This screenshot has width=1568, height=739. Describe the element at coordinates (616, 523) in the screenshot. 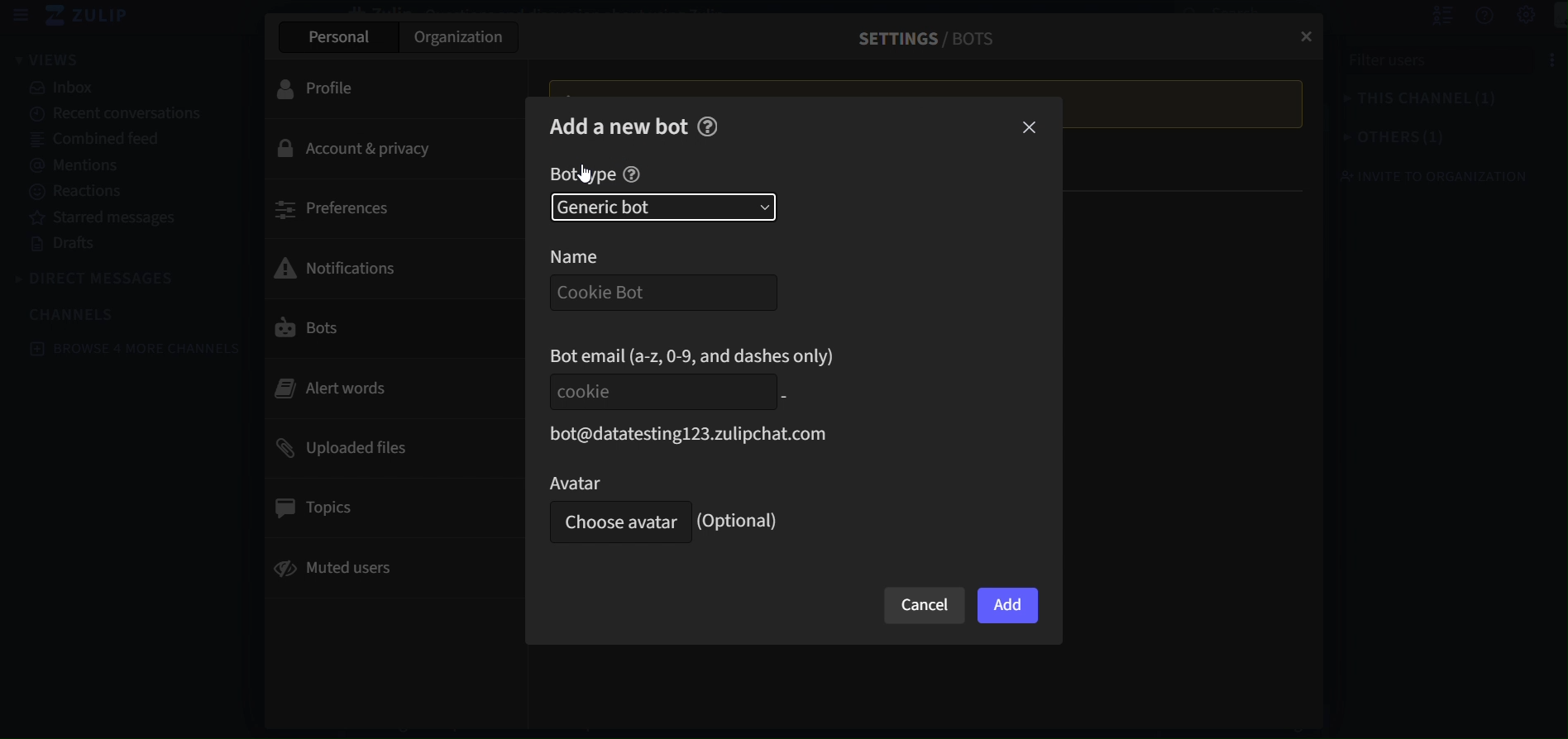

I see `Choose Avatar` at that location.